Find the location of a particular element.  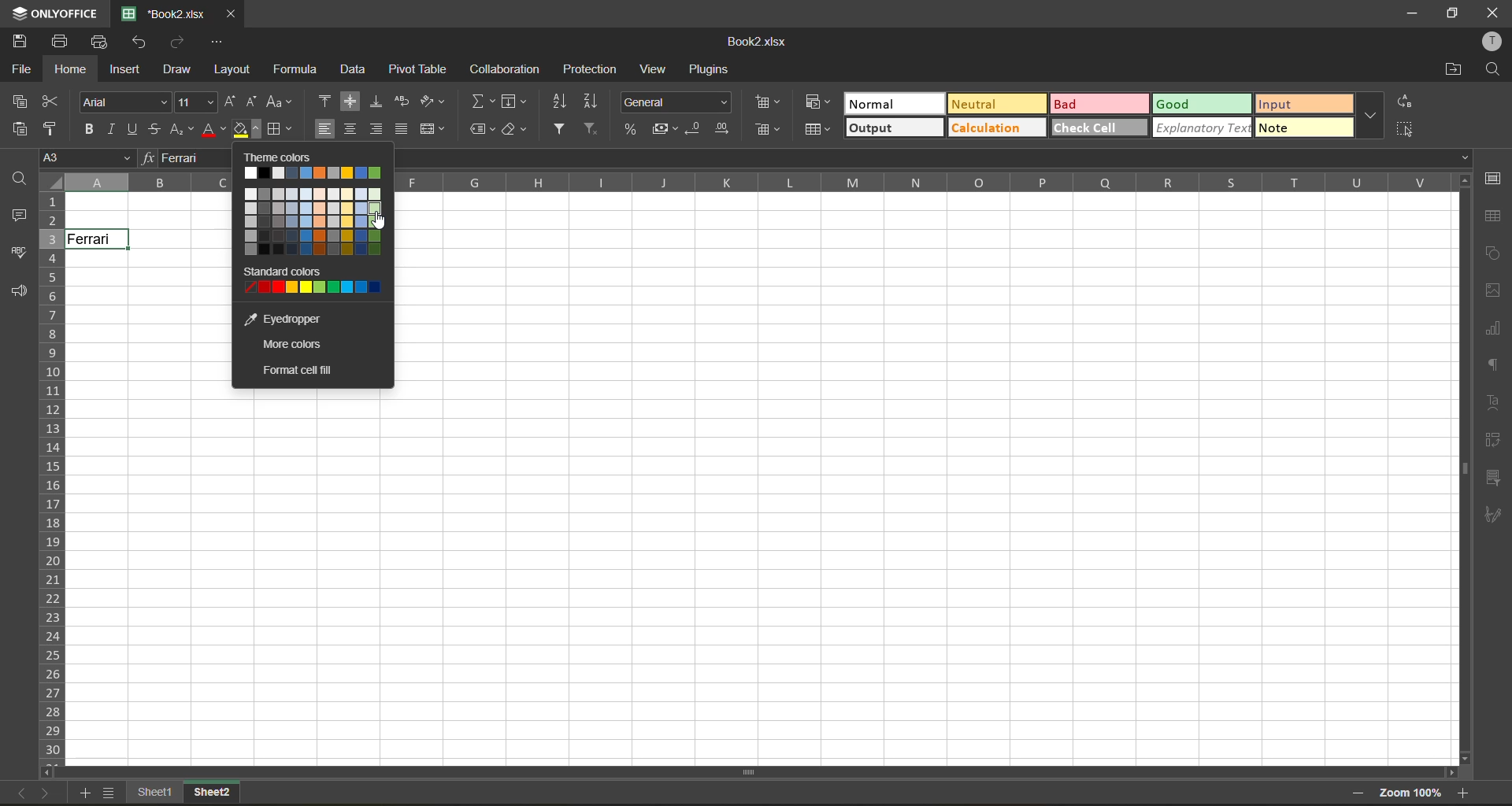

theme colors is located at coordinates (319, 157).